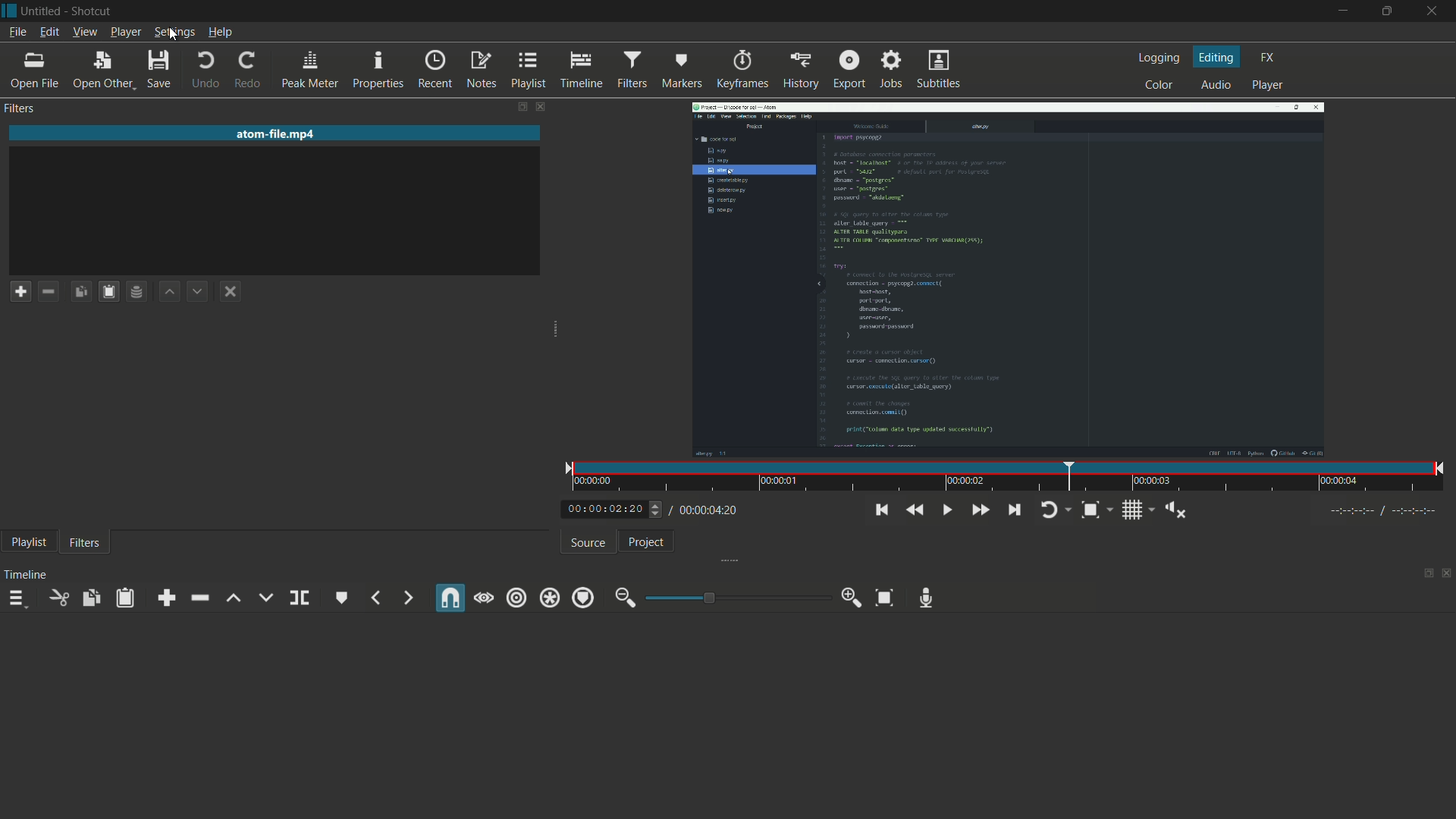 The width and height of the screenshot is (1456, 819). What do you see at coordinates (124, 33) in the screenshot?
I see `player menu` at bounding box center [124, 33].